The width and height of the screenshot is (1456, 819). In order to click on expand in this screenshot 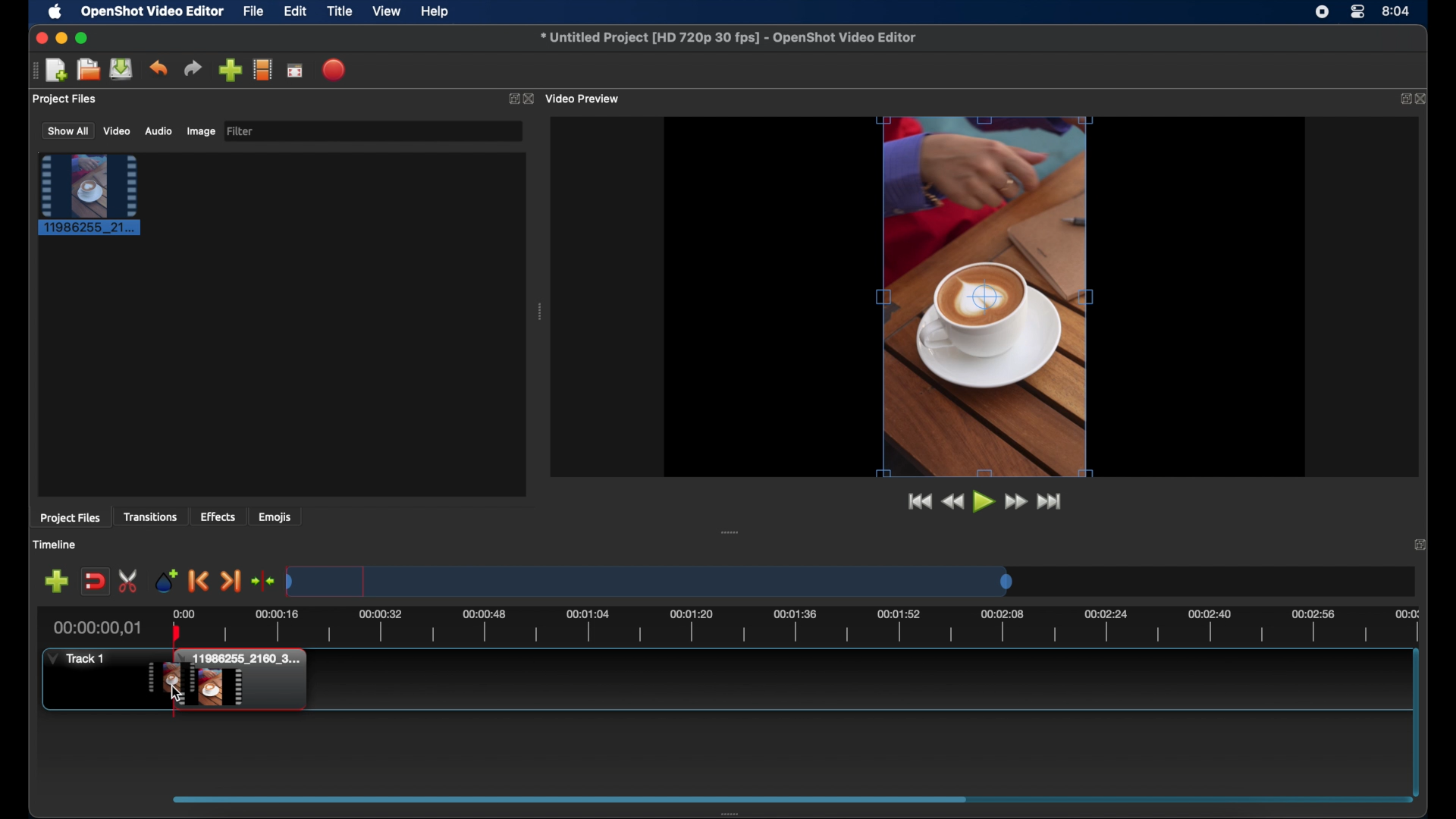, I will do `click(512, 99)`.